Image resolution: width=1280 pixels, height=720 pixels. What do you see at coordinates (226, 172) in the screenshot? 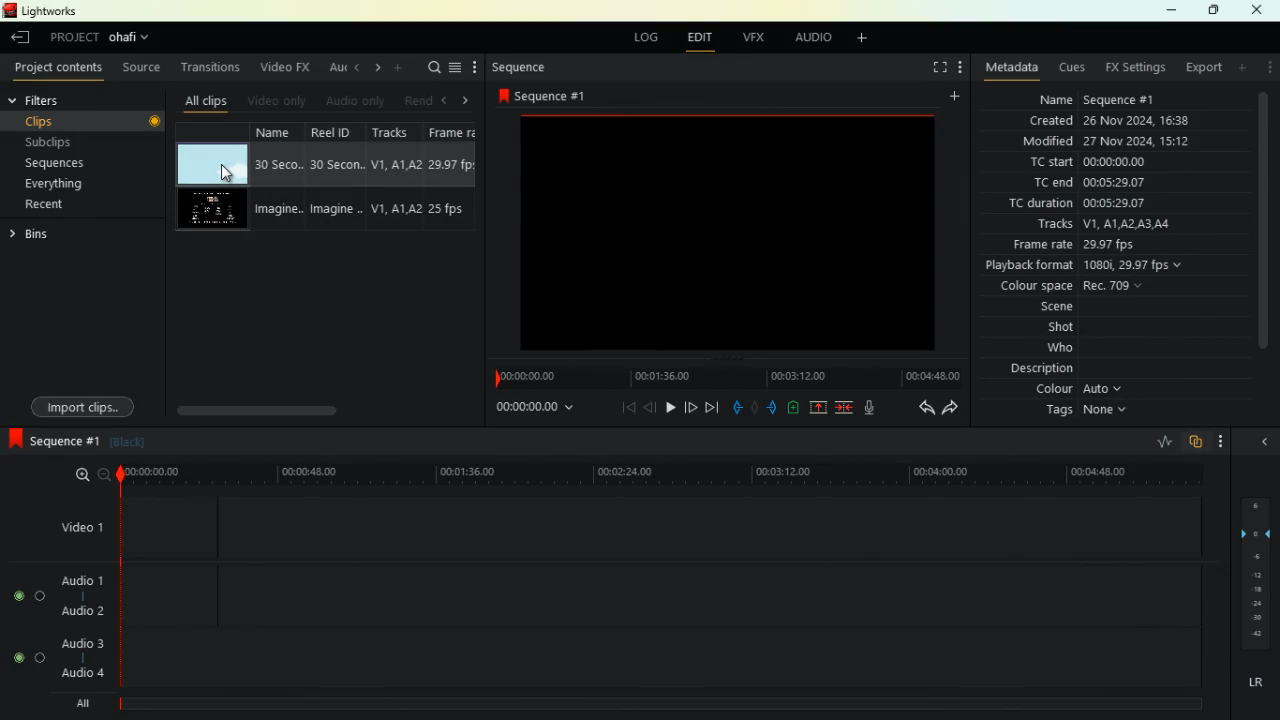
I see `cursor` at bounding box center [226, 172].